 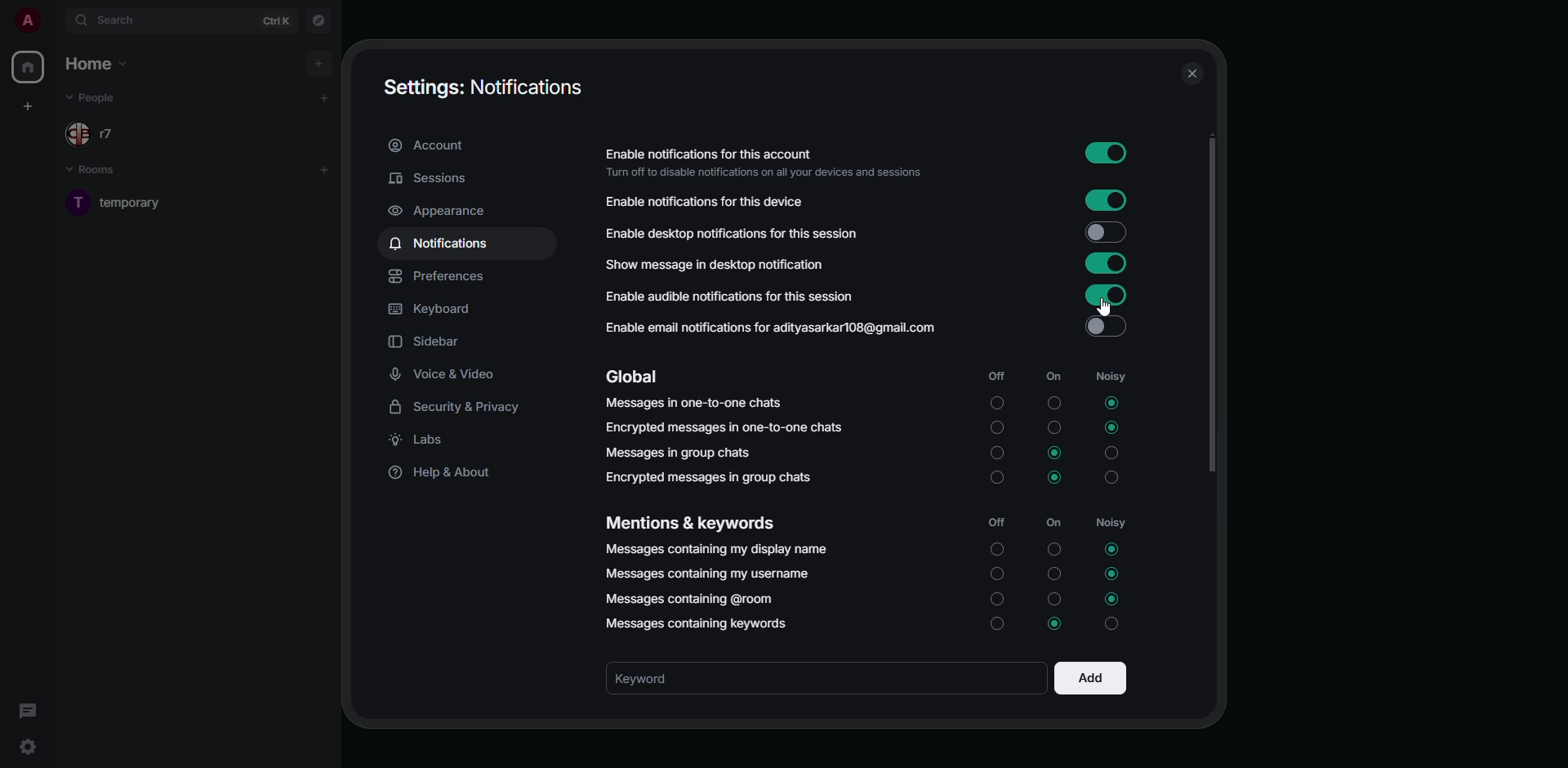 What do you see at coordinates (1113, 428) in the screenshot?
I see `selected` at bounding box center [1113, 428].